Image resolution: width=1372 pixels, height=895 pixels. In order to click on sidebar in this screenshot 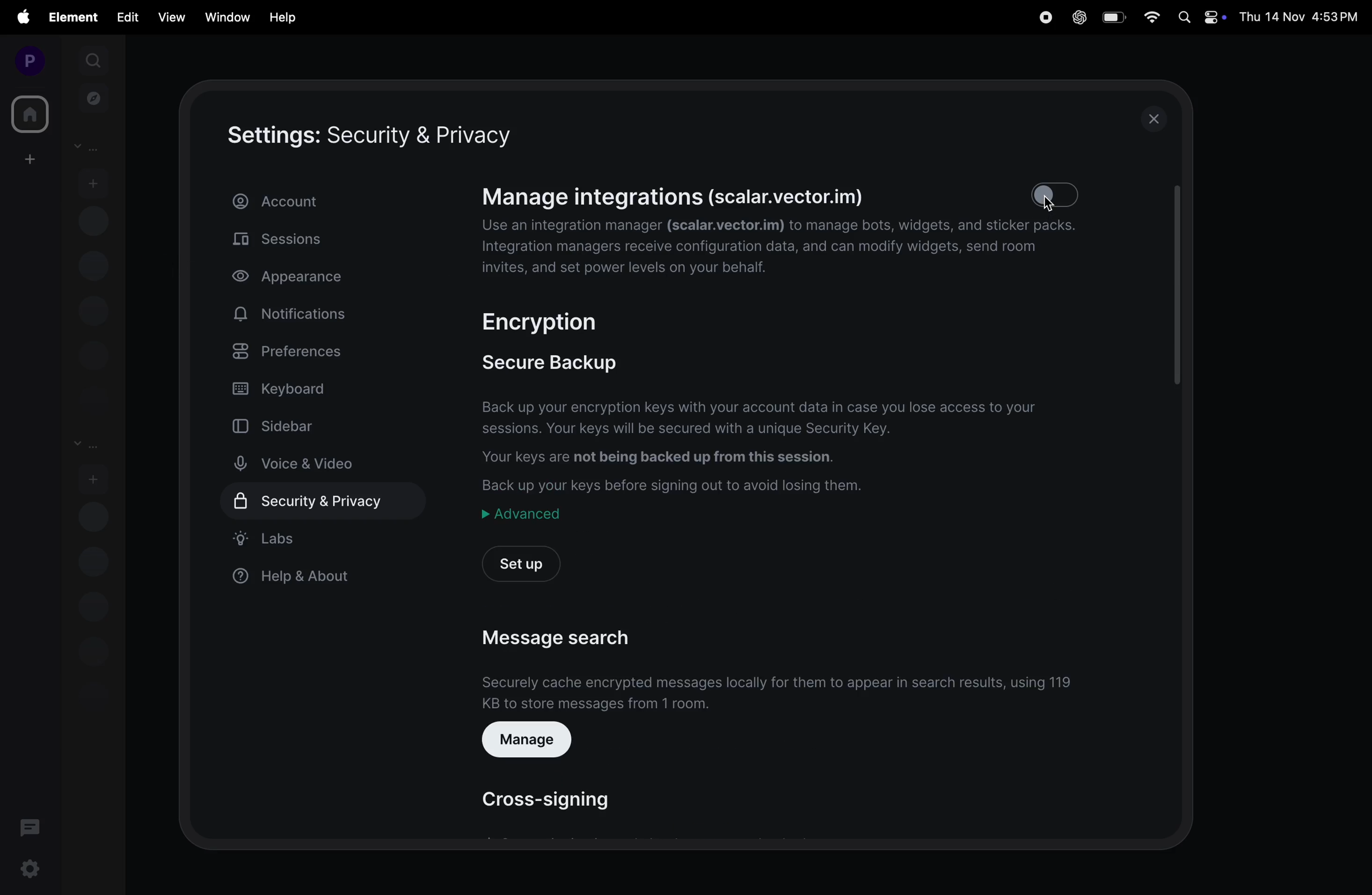, I will do `click(277, 427)`.